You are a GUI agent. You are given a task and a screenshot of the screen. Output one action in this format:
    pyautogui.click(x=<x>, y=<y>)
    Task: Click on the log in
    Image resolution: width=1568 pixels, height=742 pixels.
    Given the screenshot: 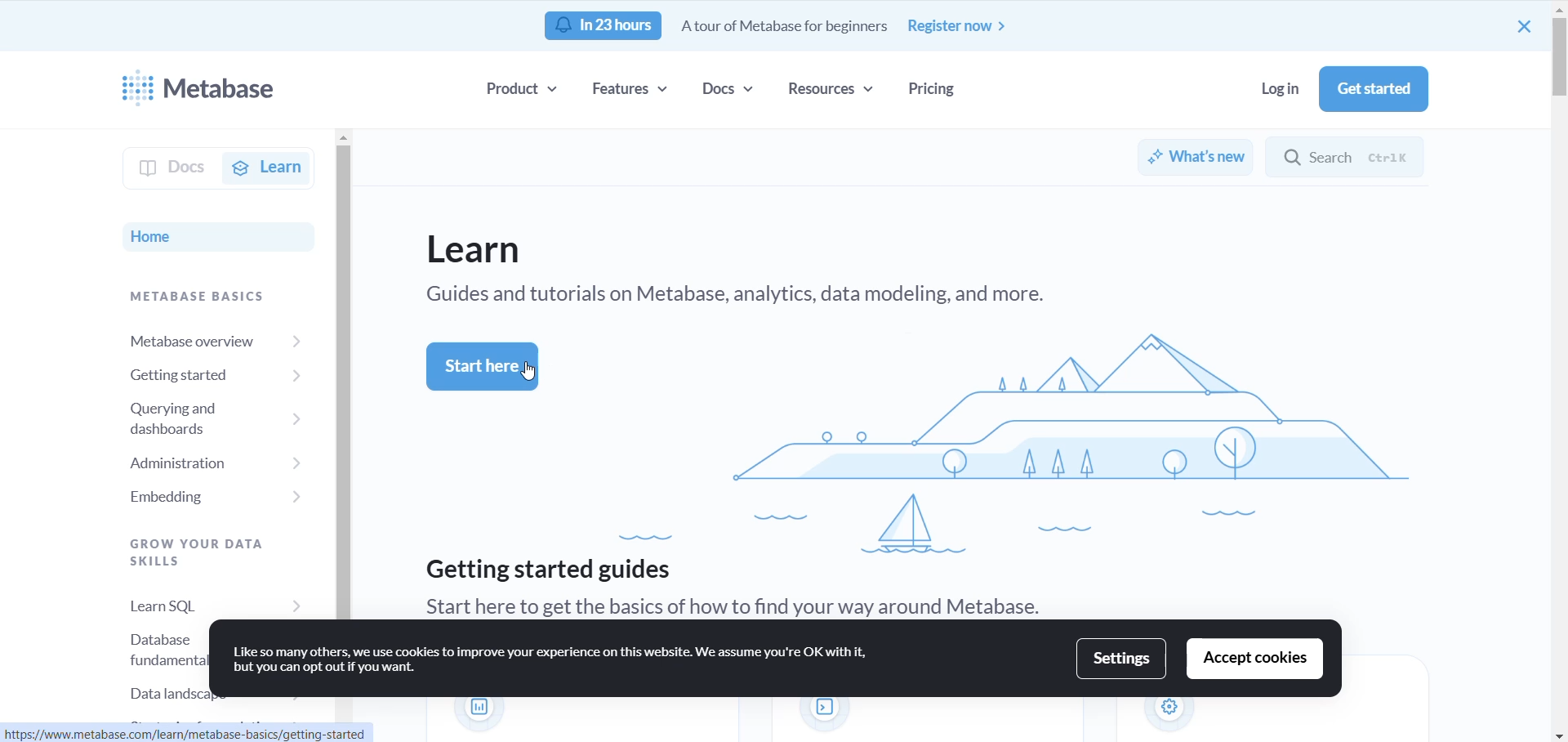 What is the action you would take?
    pyautogui.click(x=1268, y=87)
    